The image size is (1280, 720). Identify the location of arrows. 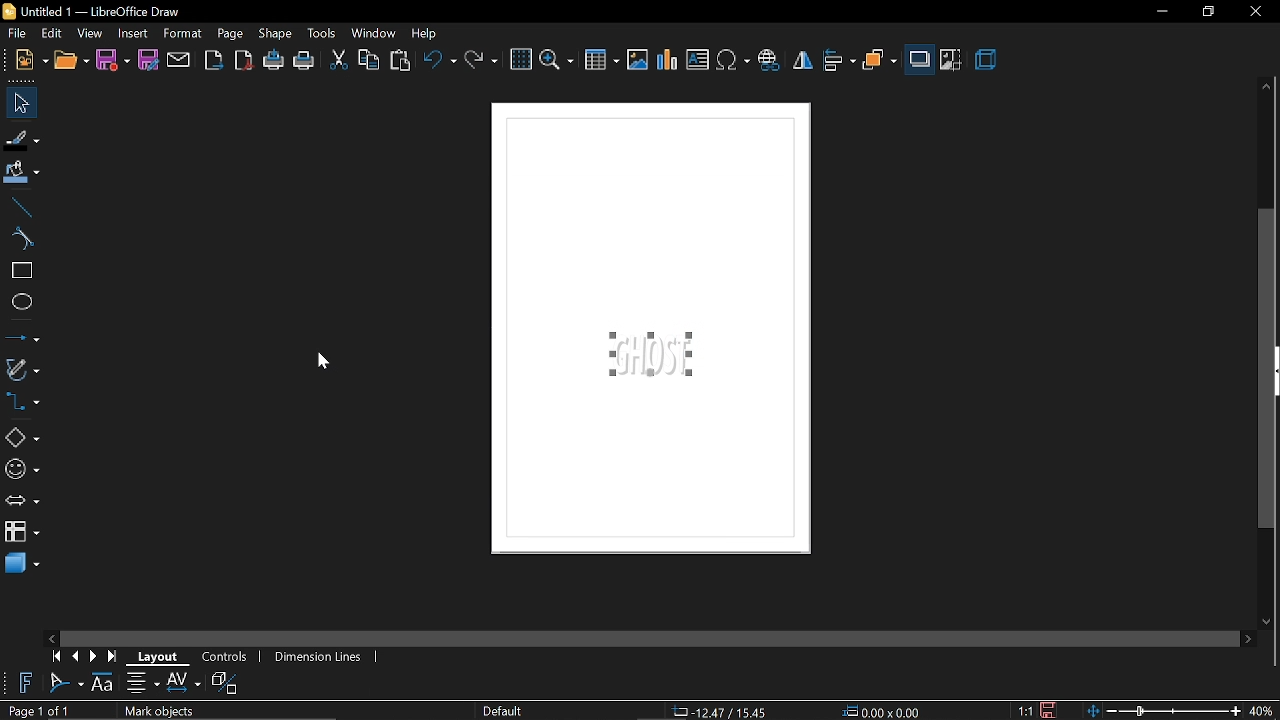
(22, 501).